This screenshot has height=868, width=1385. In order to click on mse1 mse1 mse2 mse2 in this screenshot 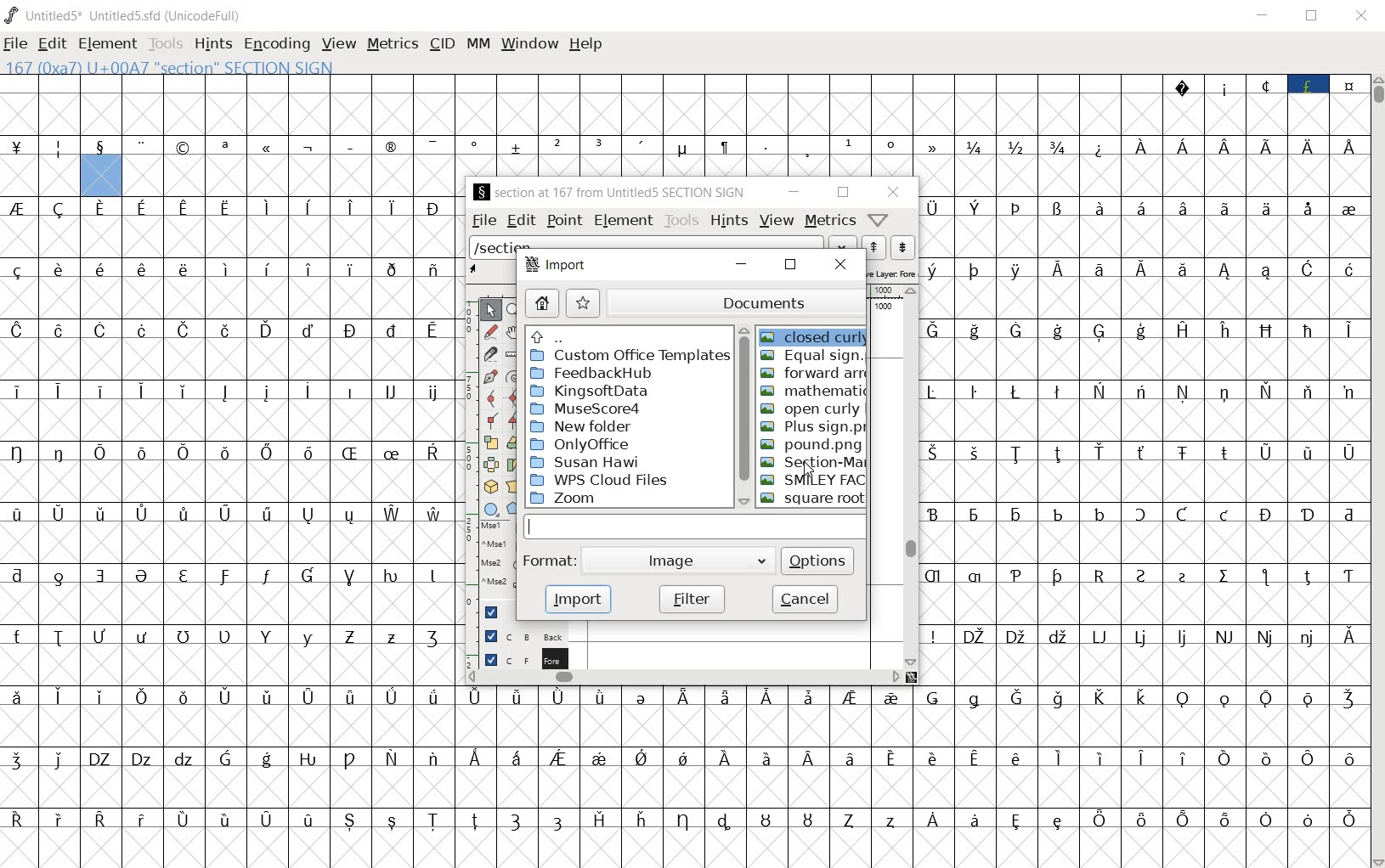, I will do `click(500, 559)`.